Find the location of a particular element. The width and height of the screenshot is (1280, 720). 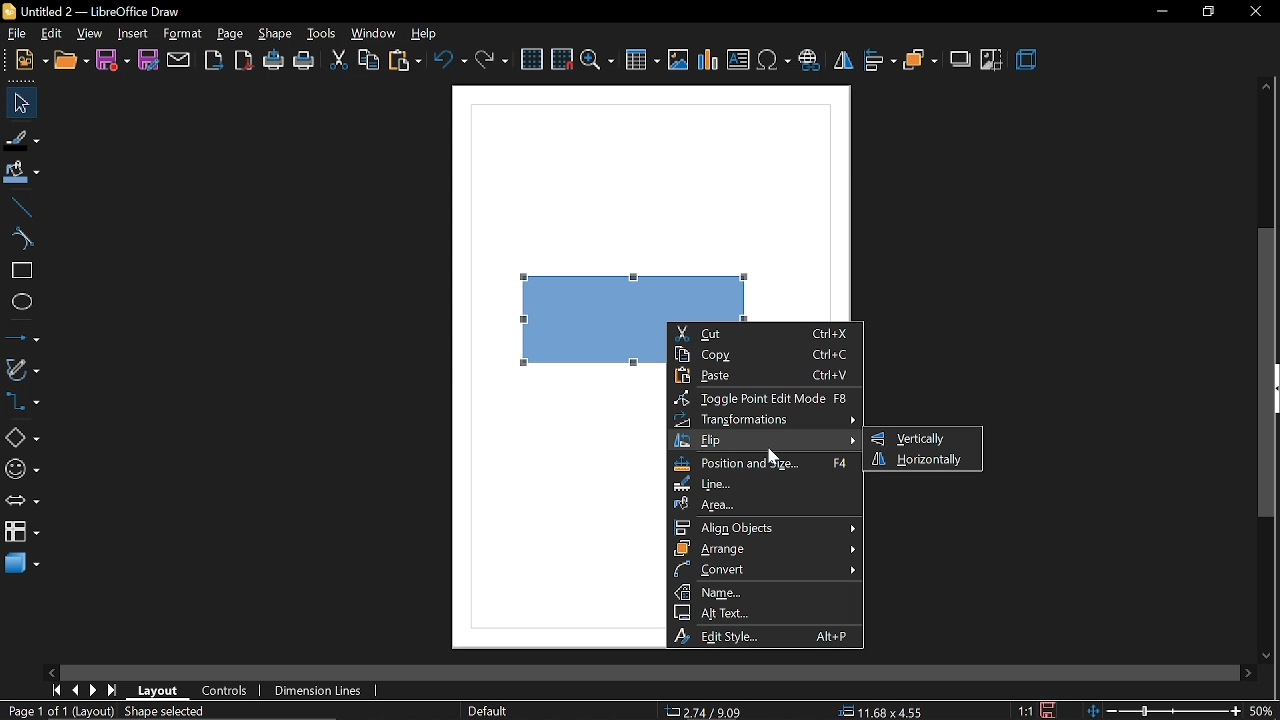

align is located at coordinates (882, 60).